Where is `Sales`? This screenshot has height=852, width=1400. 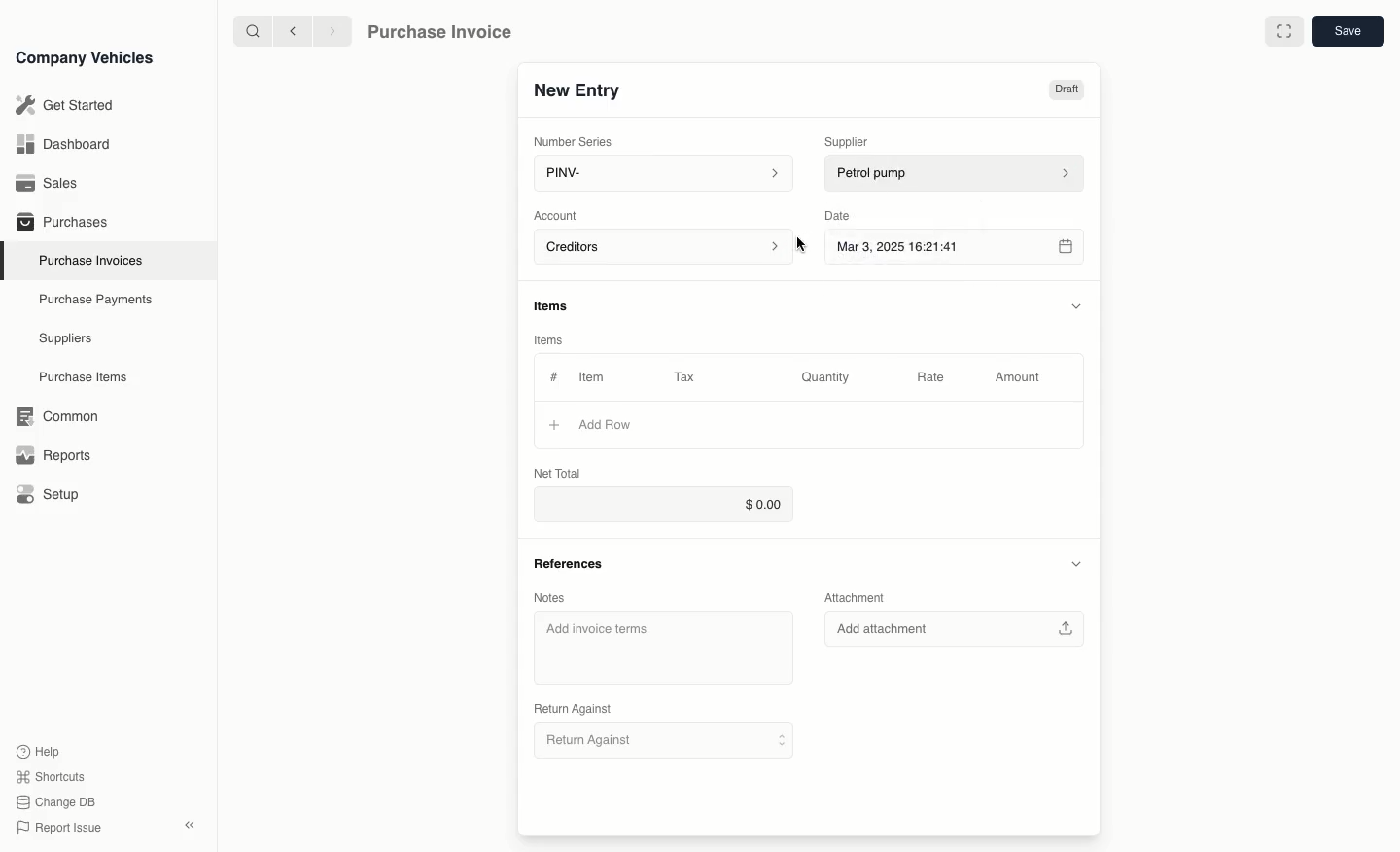 Sales is located at coordinates (48, 183).